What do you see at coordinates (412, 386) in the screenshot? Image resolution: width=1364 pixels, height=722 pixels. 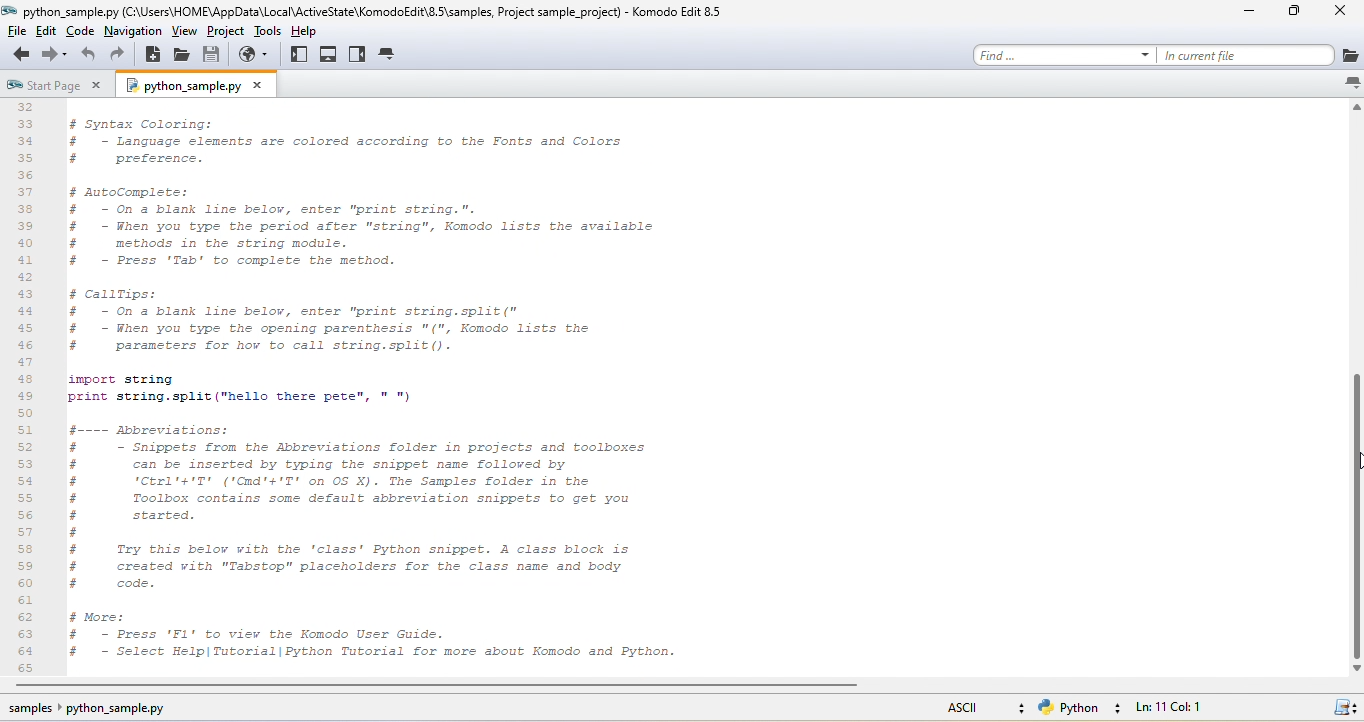 I see `text changes` at bounding box center [412, 386].